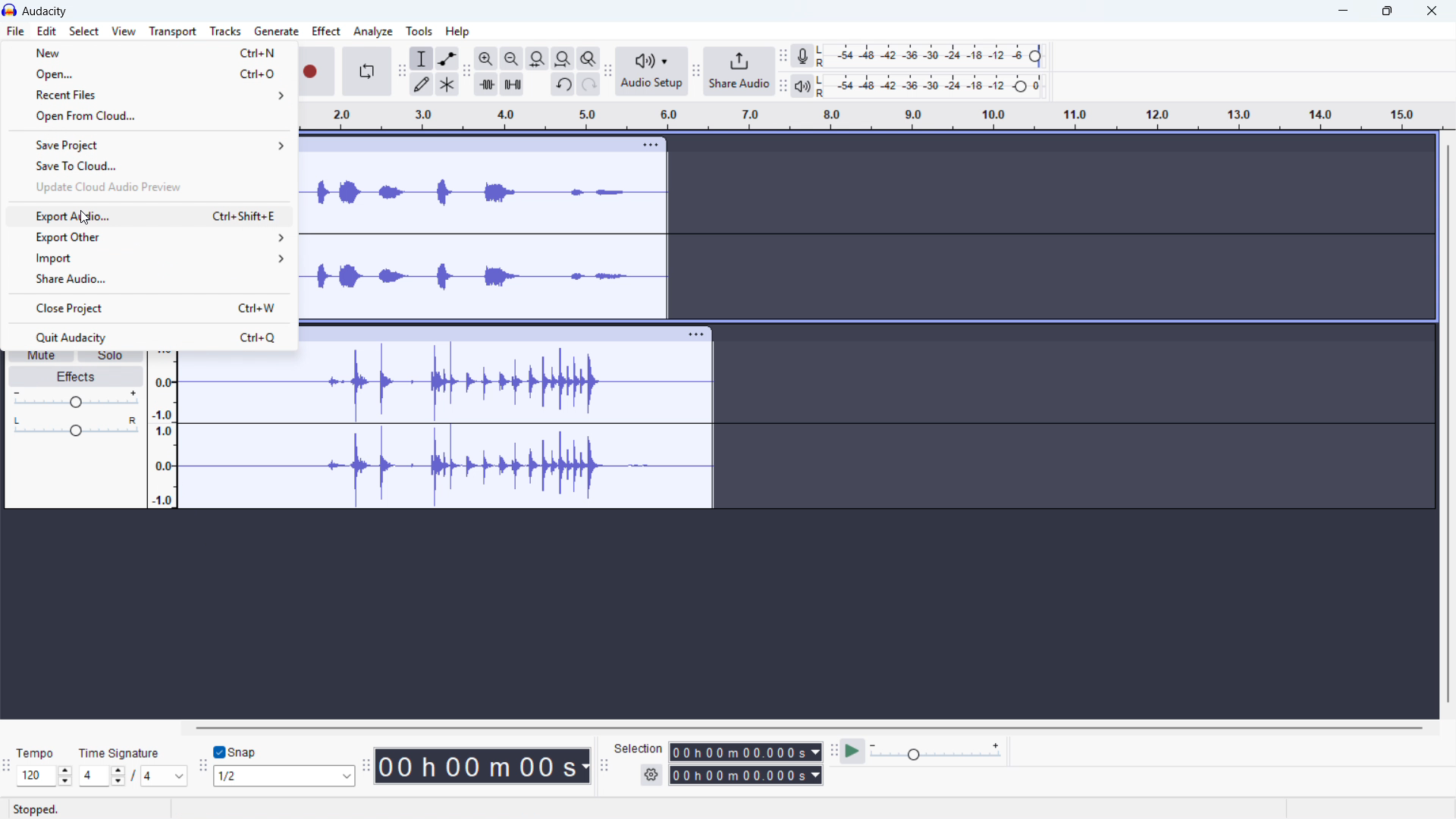 The width and height of the screenshot is (1456, 819). What do you see at coordinates (873, 116) in the screenshot?
I see `Timeline ` at bounding box center [873, 116].